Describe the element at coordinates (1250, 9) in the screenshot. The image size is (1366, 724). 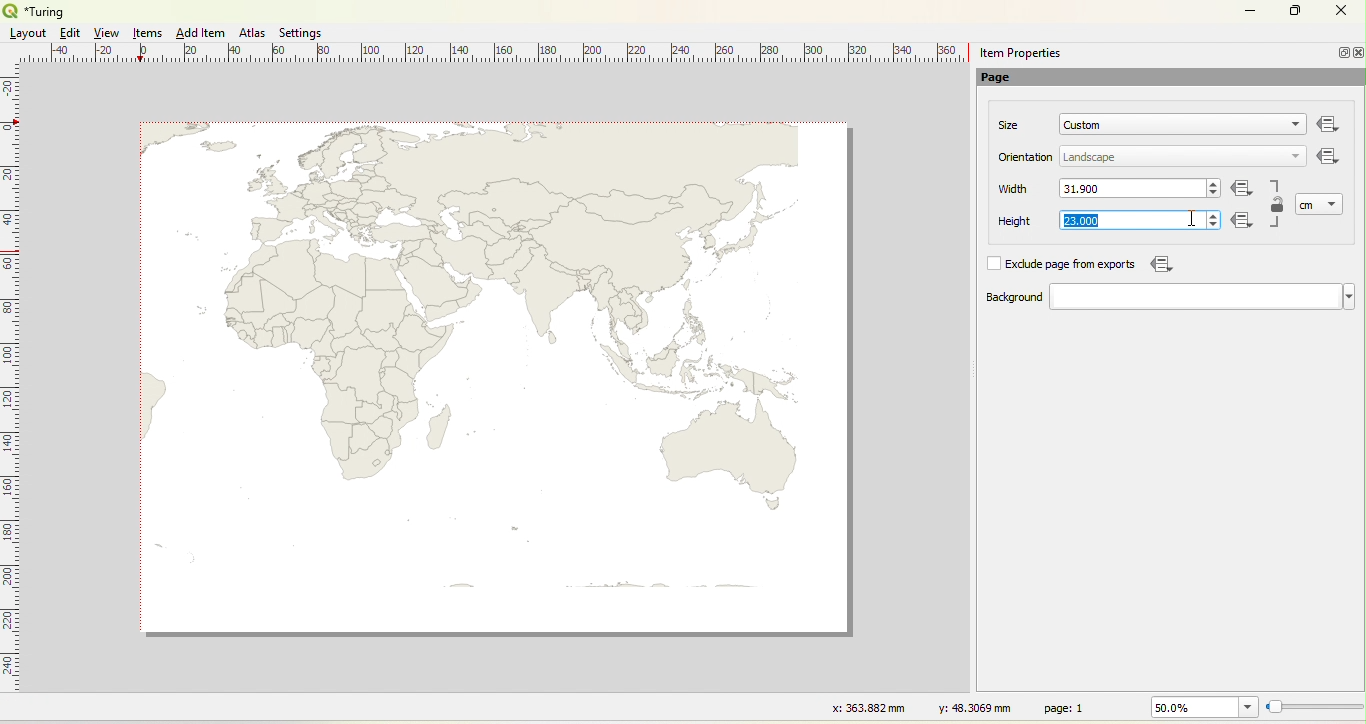
I see `Minimize` at that location.